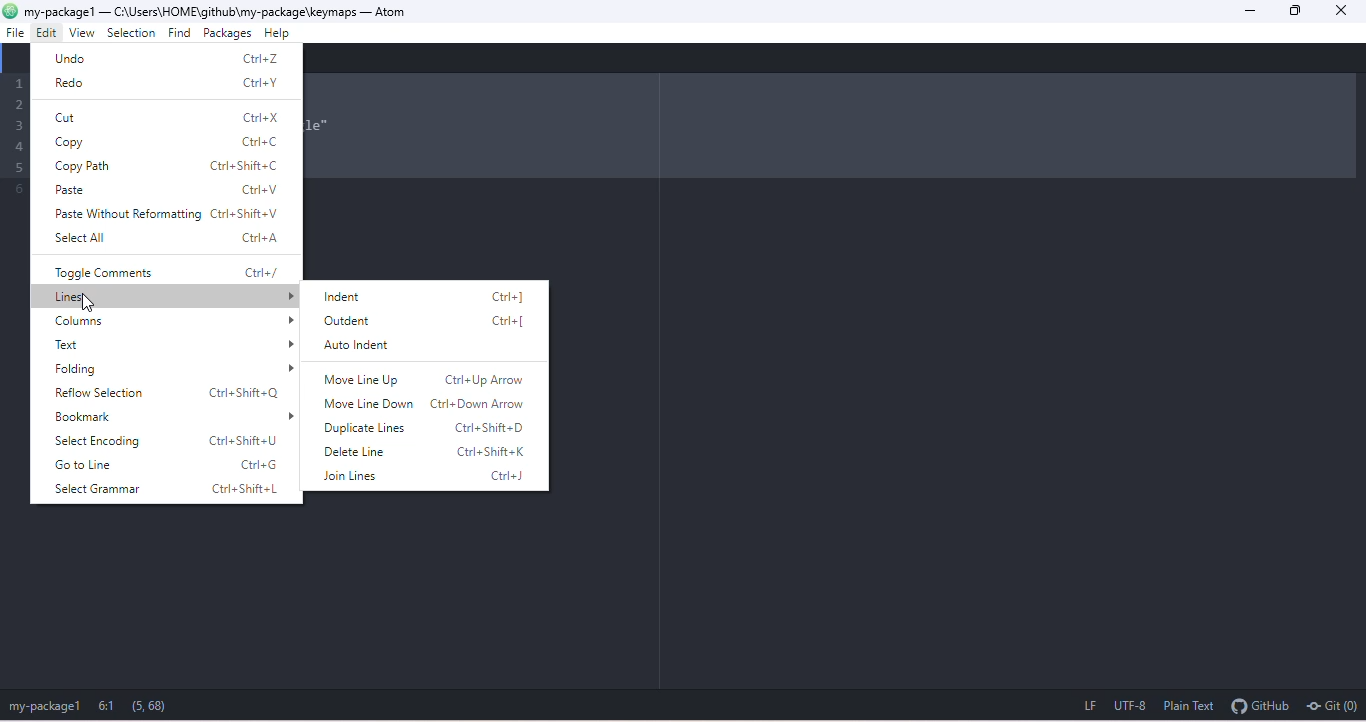 The image size is (1366, 722). What do you see at coordinates (1334, 708) in the screenshot?
I see `git (0)` at bounding box center [1334, 708].